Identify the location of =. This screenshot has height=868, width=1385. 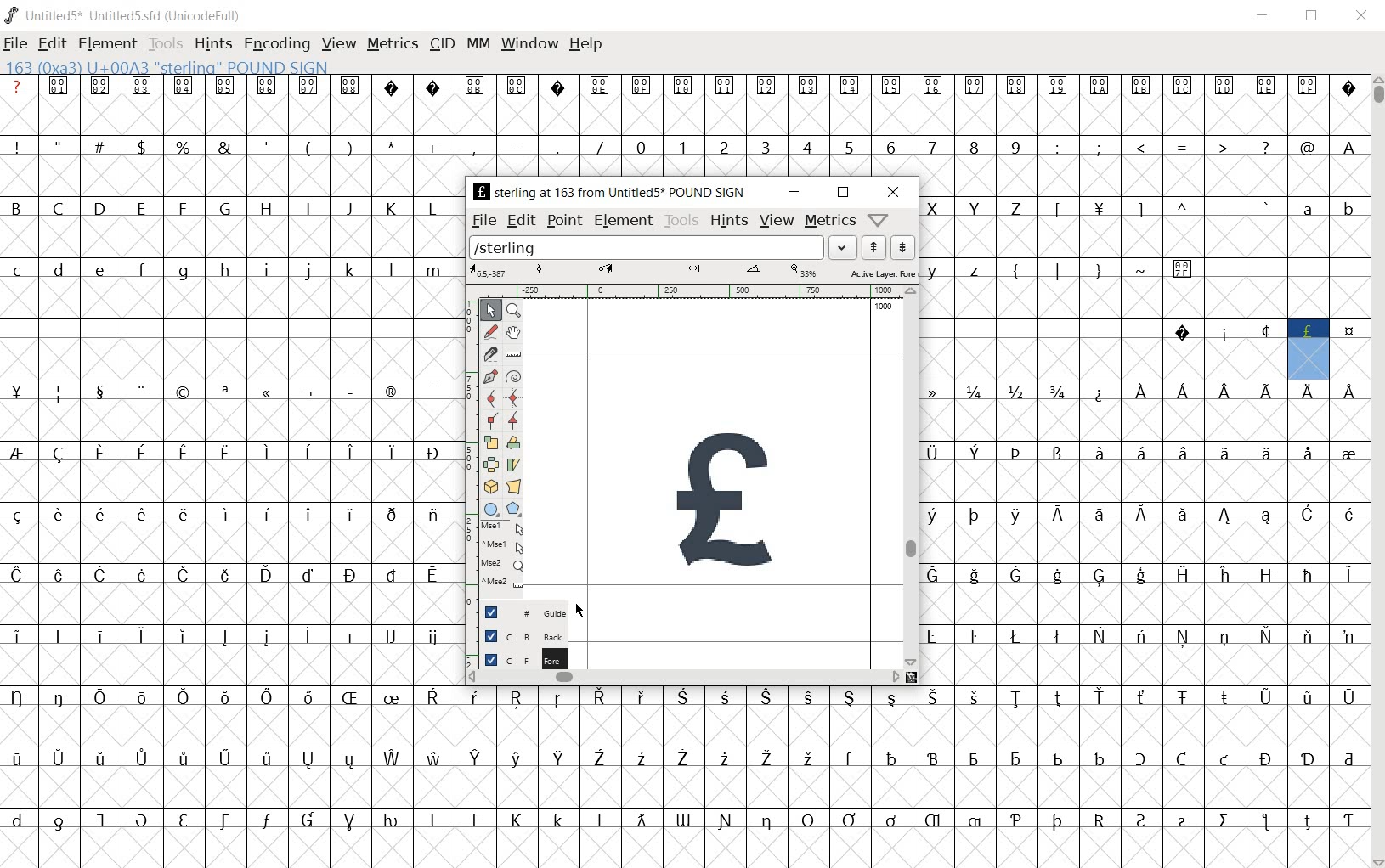
(1183, 147).